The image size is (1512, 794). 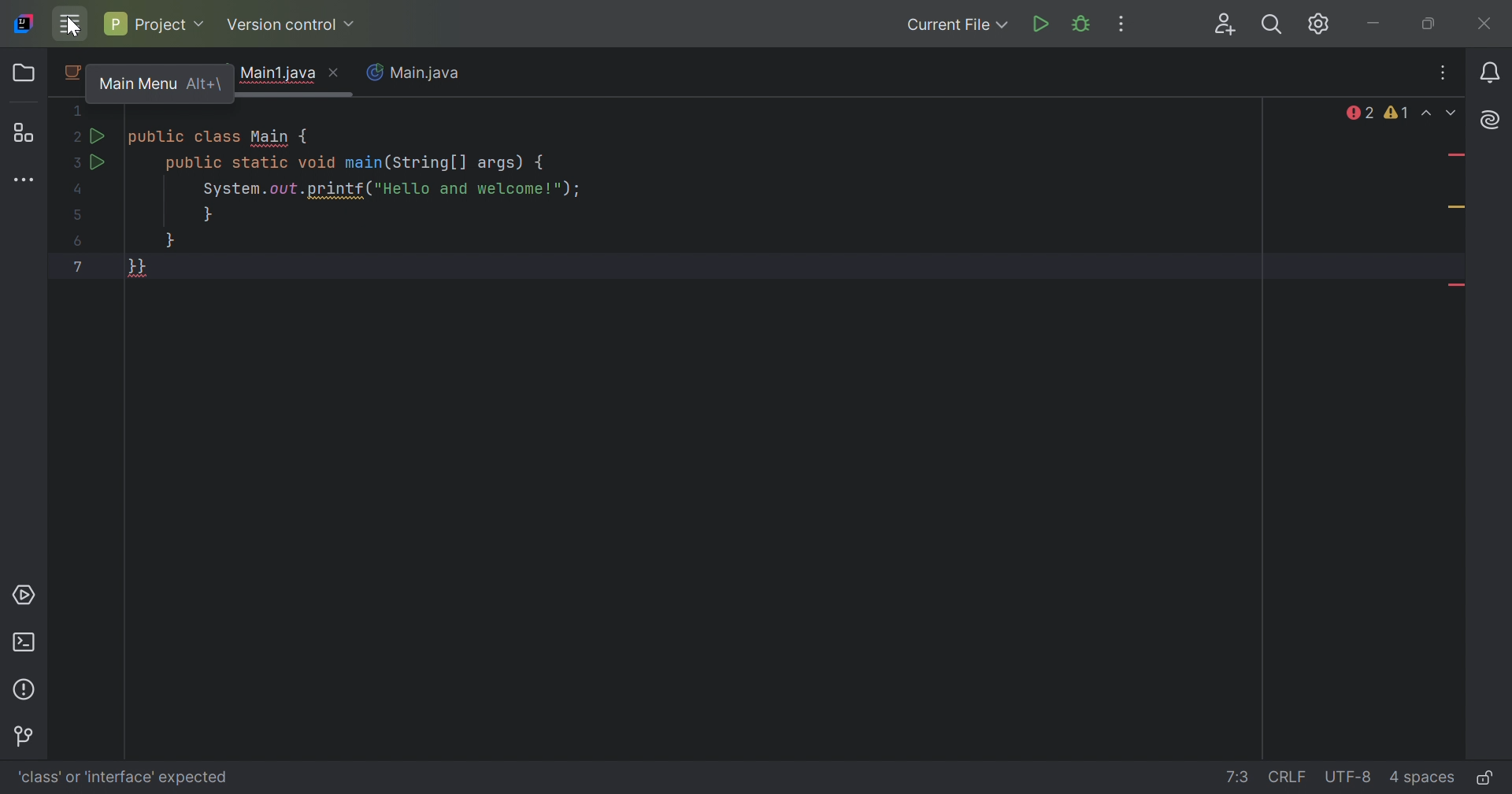 What do you see at coordinates (80, 110) in the screenshot?
I see `1` at bounding box center [80, 110].